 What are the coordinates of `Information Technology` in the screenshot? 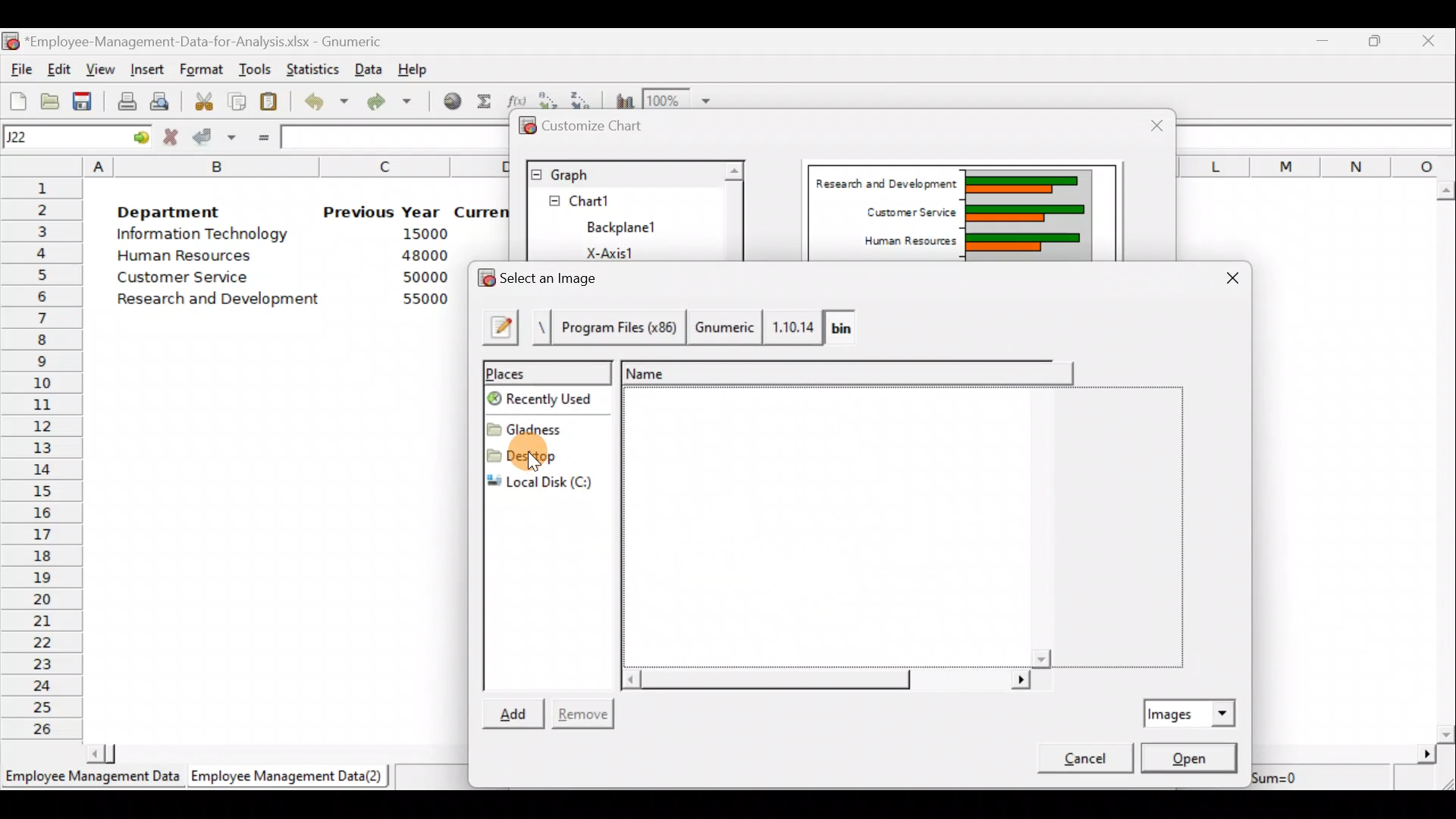 It's located at (203, 237).